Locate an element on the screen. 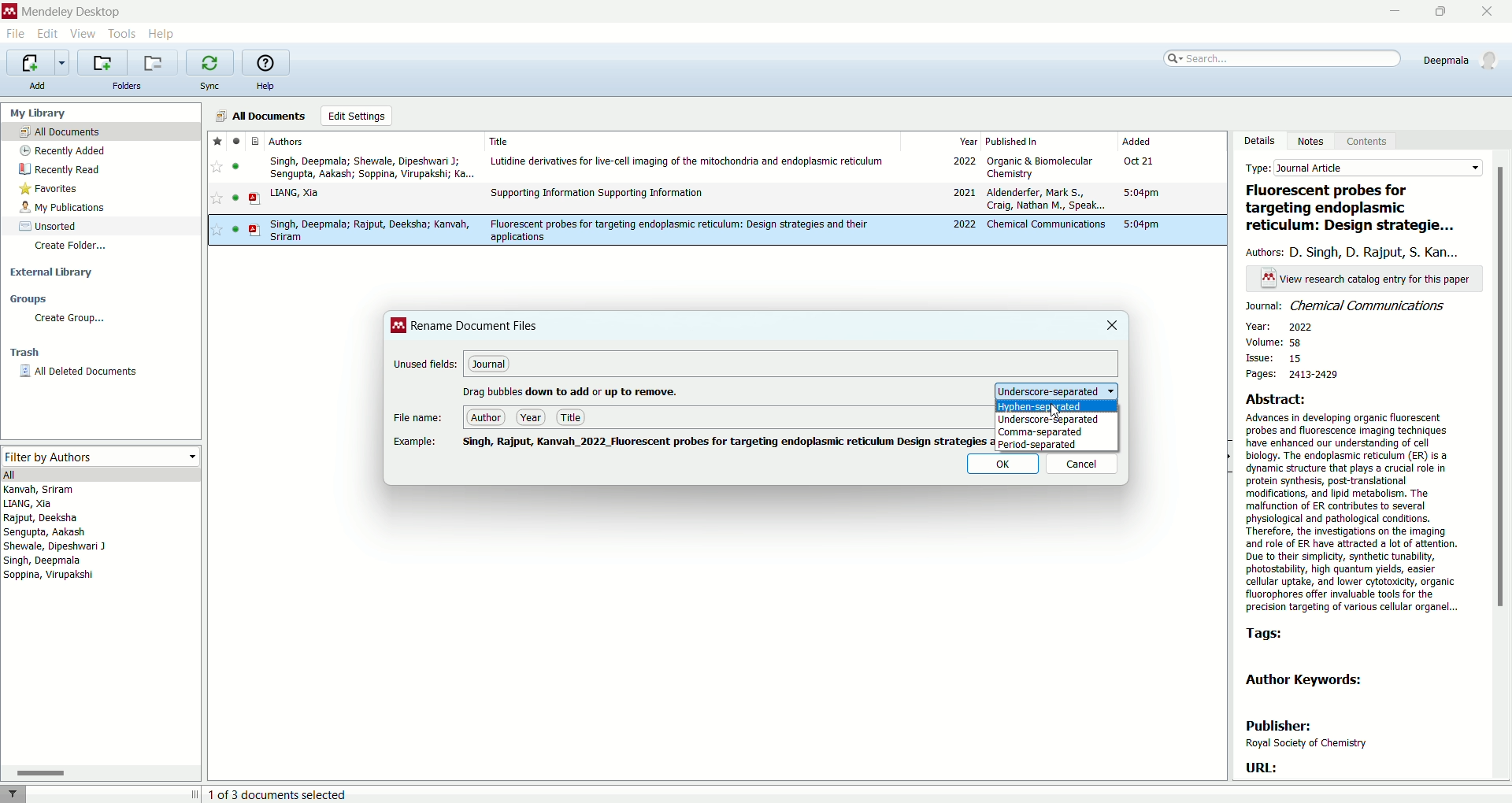  edit settings is located at coordinates (356, 116).